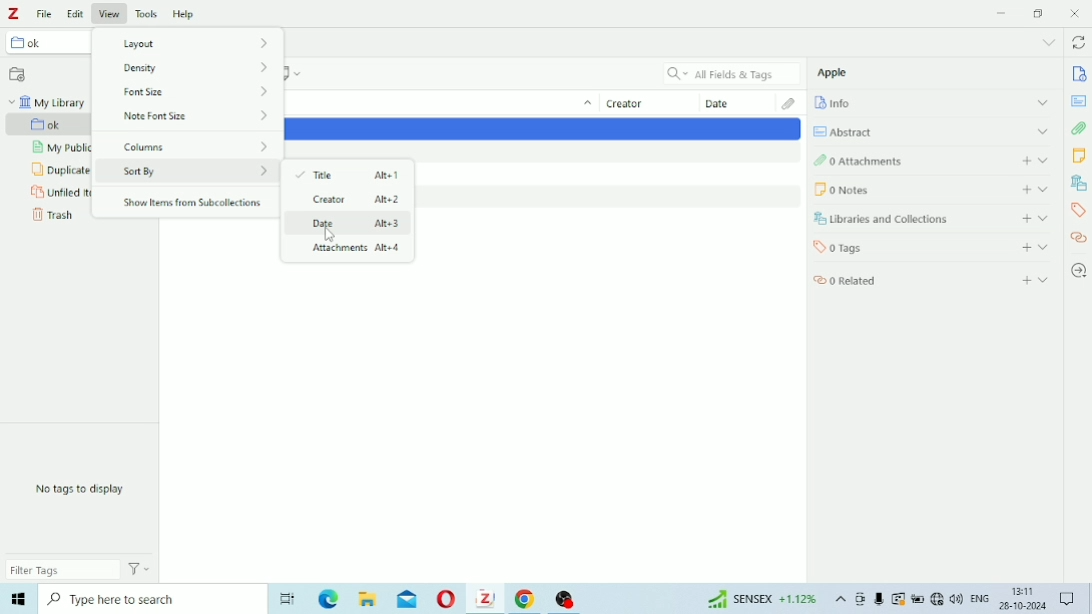  What do you see at coordinates (1039, 101) in the screenshot?
I see `expand` at bounding box center [1039, 101].